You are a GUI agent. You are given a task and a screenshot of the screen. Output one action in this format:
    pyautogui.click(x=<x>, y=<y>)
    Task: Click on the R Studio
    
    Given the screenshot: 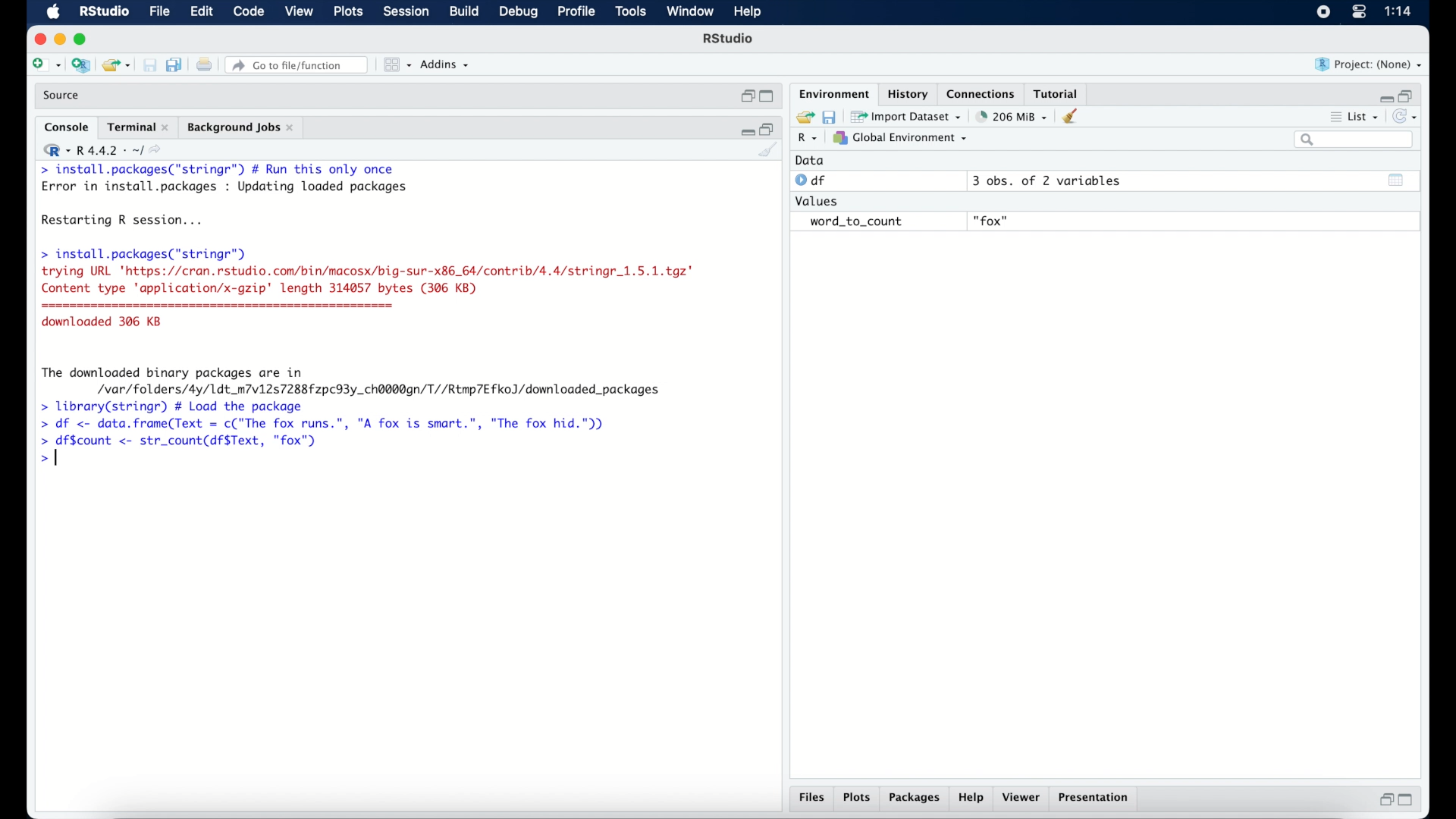 What is the action you would take?
    pyautogui.click(x=103, y=12)
    